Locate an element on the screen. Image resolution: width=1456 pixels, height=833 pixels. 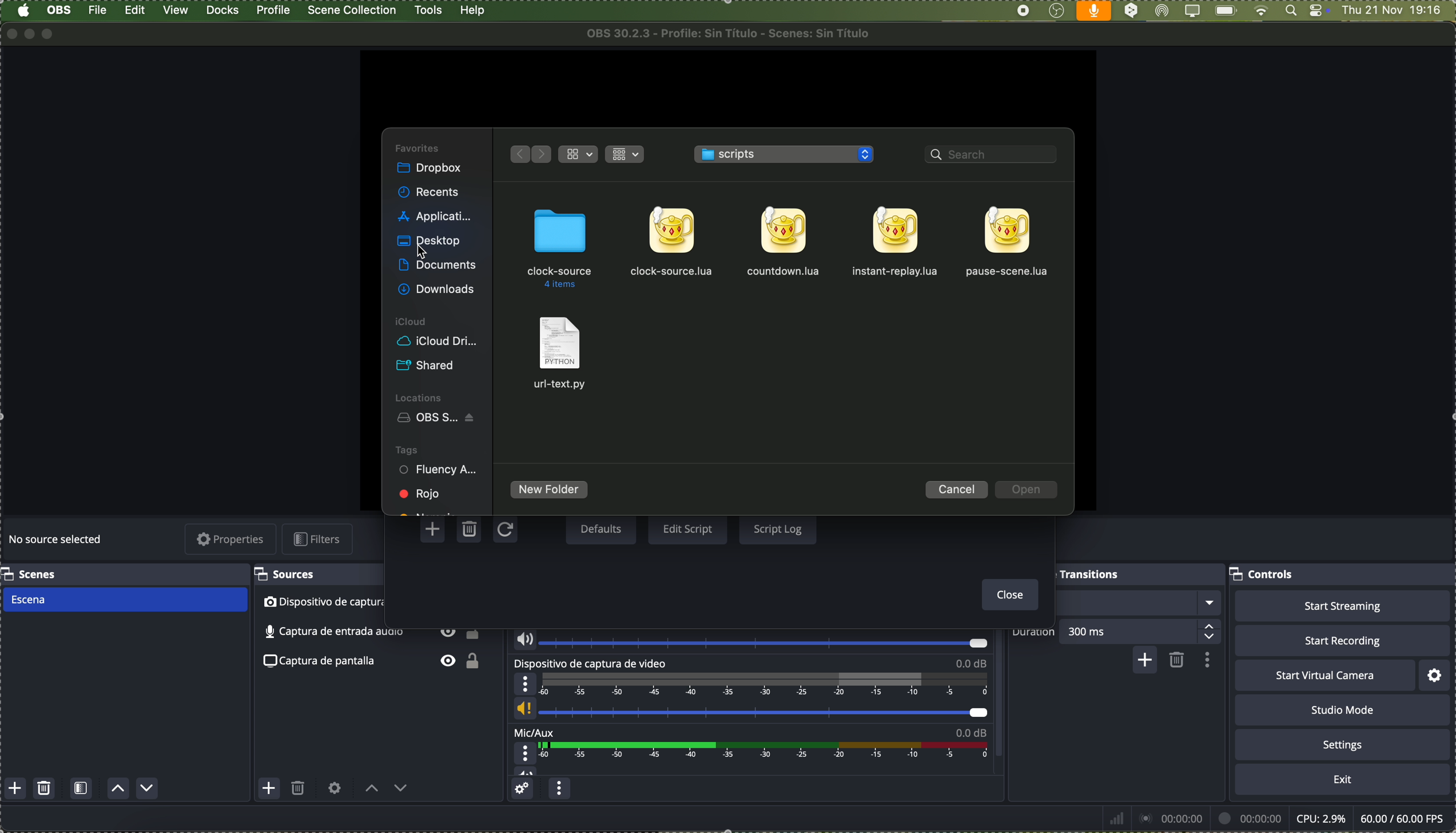
settings is located at coordinates (1436, 675).